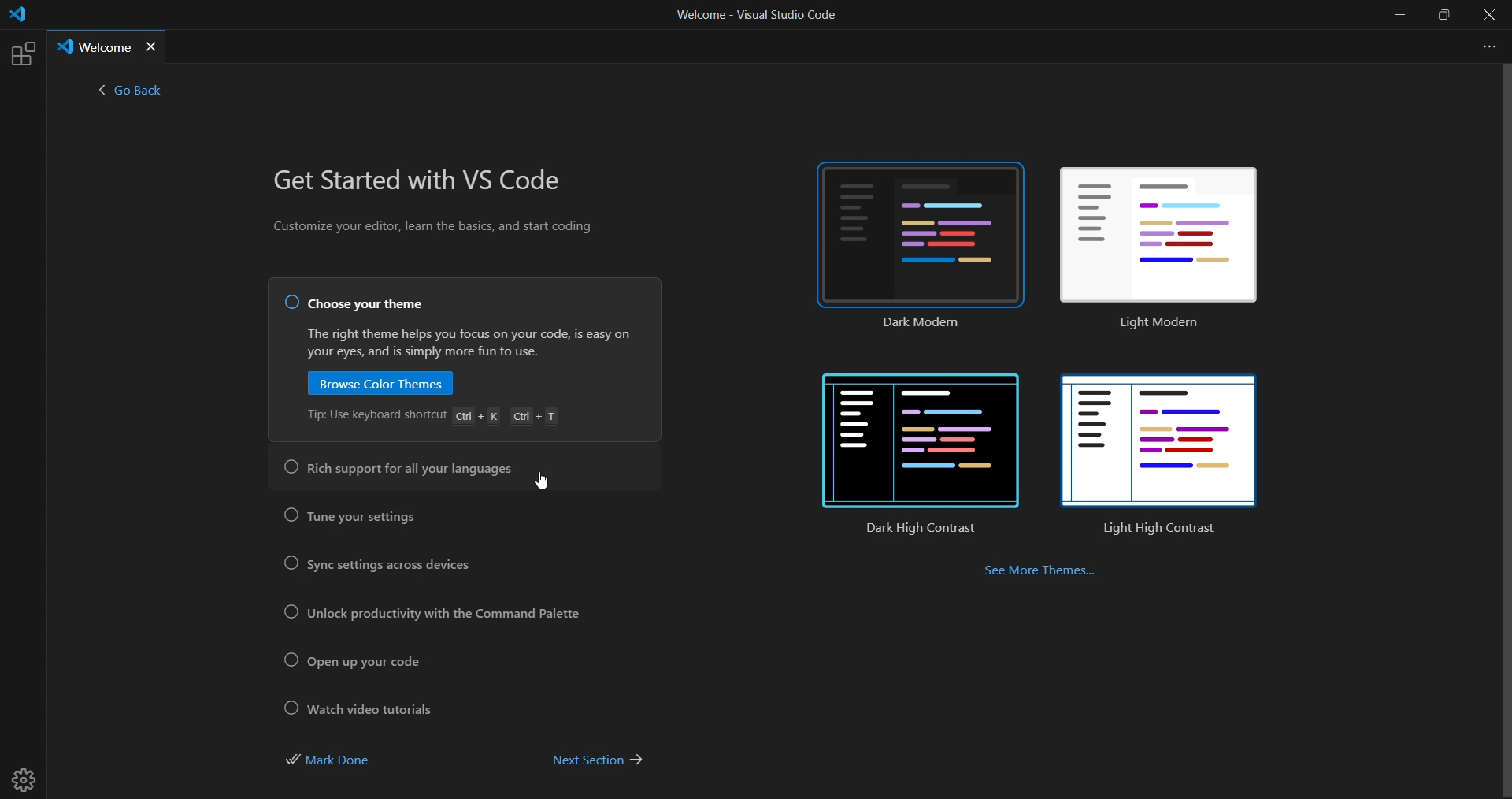 Image resolution: width=1512 pixels, height=799 pixels. Describe the element at coordinates (913, 229) in the screenshot. I see `dark modern` at that location.